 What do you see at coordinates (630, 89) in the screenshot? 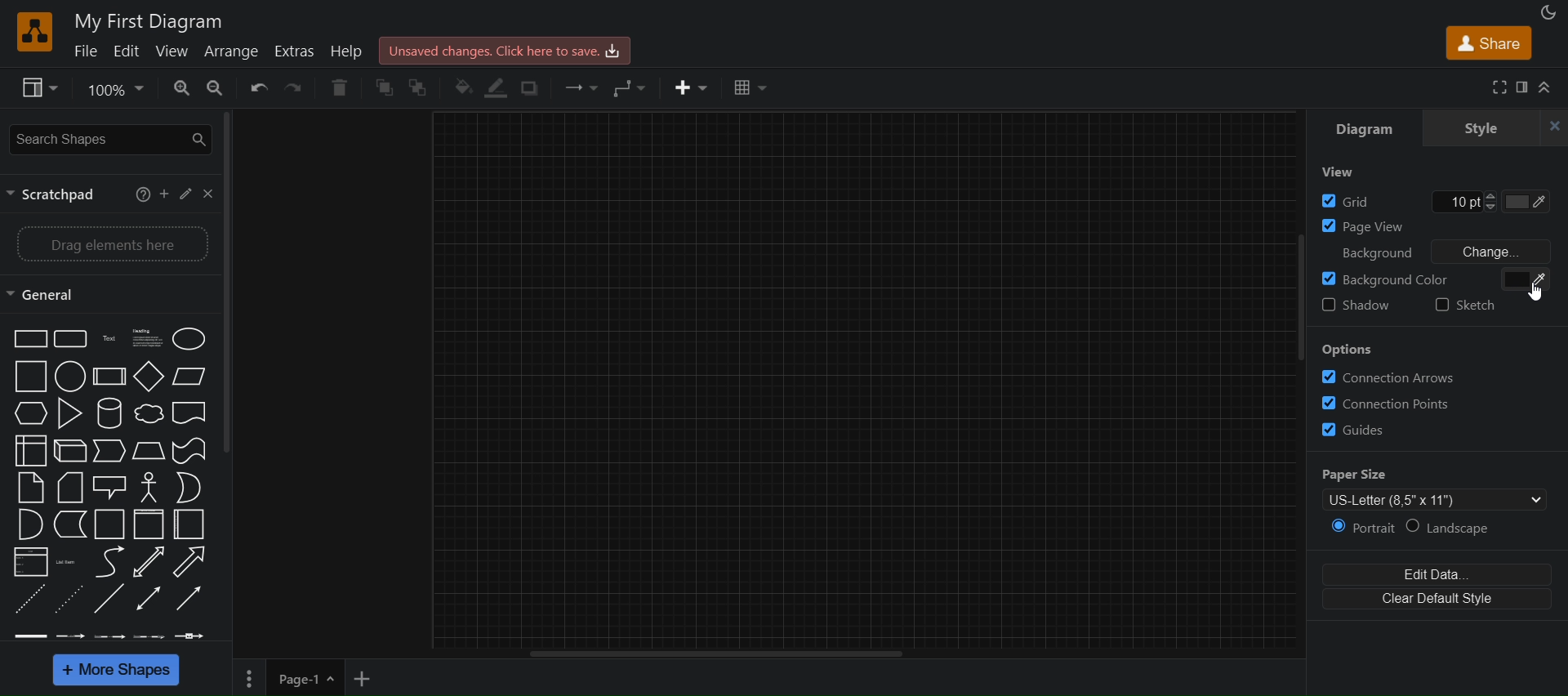
I see `waypoints` at bounding box center [630, 89].